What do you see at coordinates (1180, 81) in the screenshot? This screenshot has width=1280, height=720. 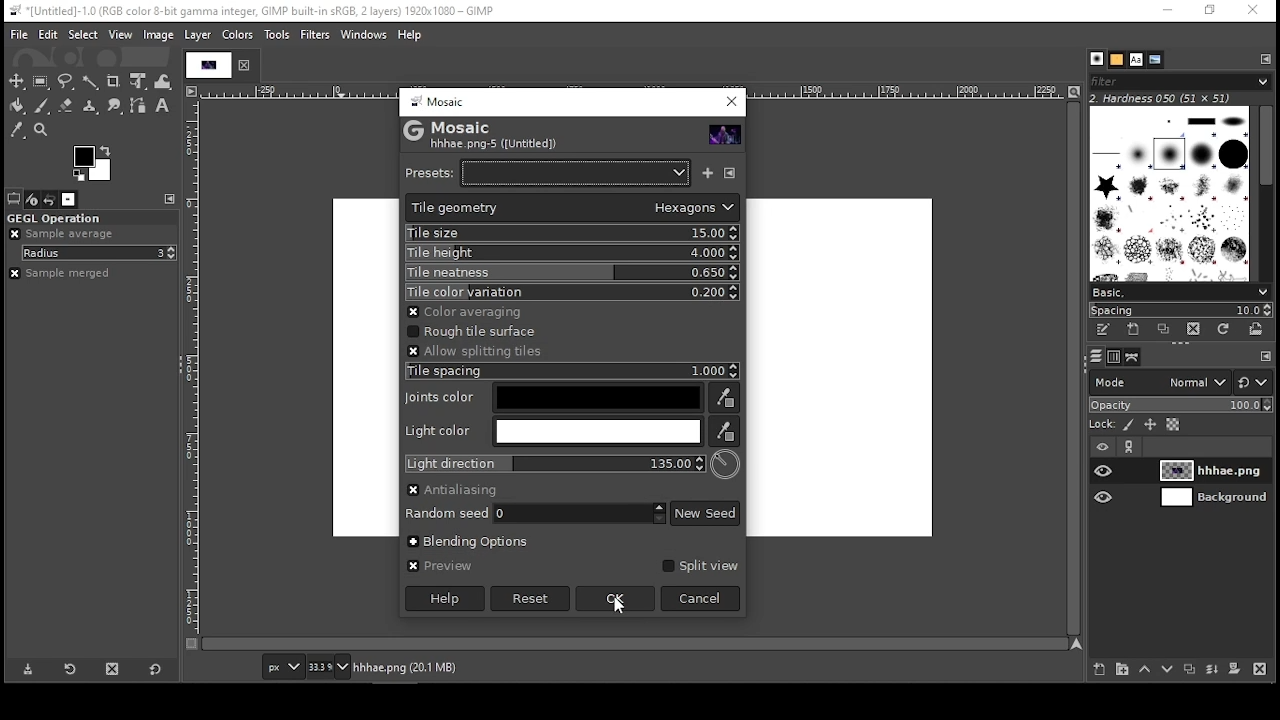 I see `brushes filter` at bounding box center [1180, 81].